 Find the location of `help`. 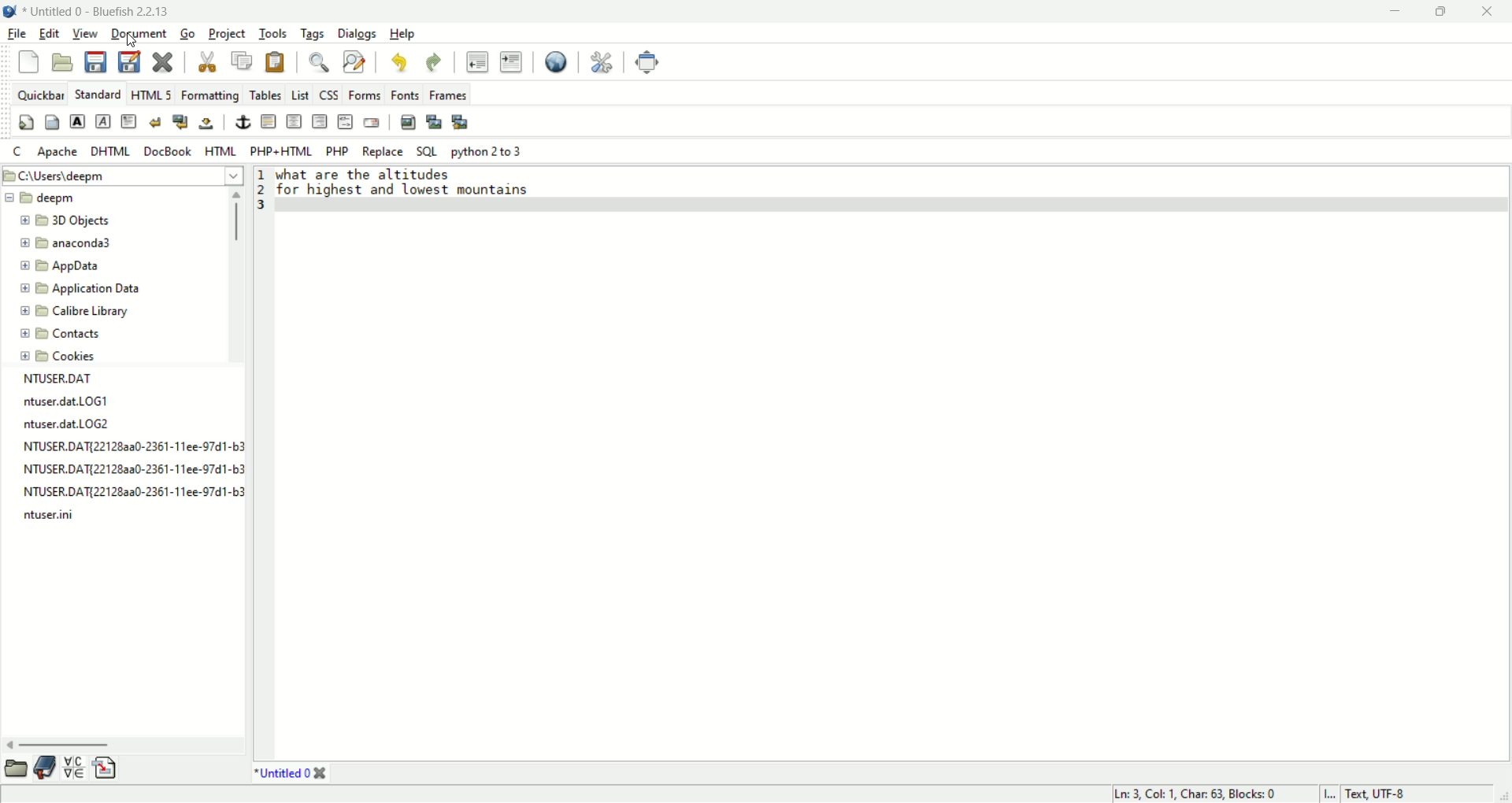

help is located at coordinates (402, 35).